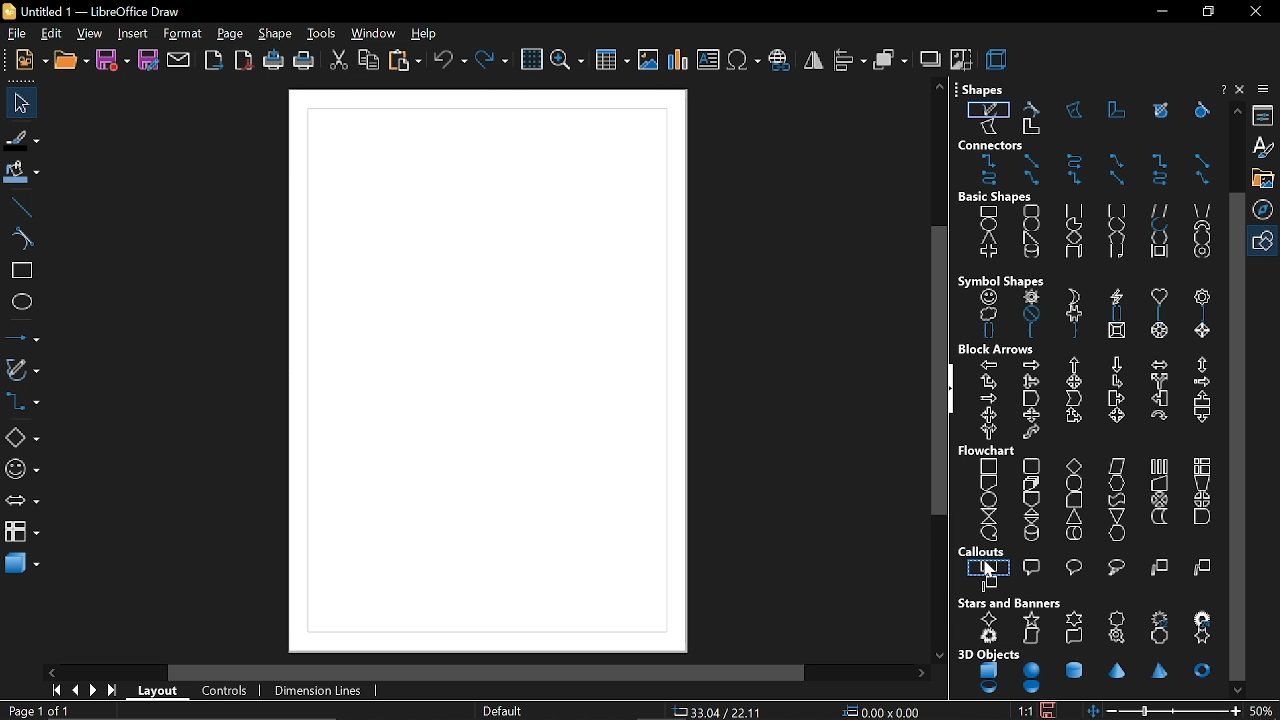 This screenshot has height=720, width=1280. Describe the element at coordinates (1160, 500) in the screenshot. I see `summing junction` at that location.